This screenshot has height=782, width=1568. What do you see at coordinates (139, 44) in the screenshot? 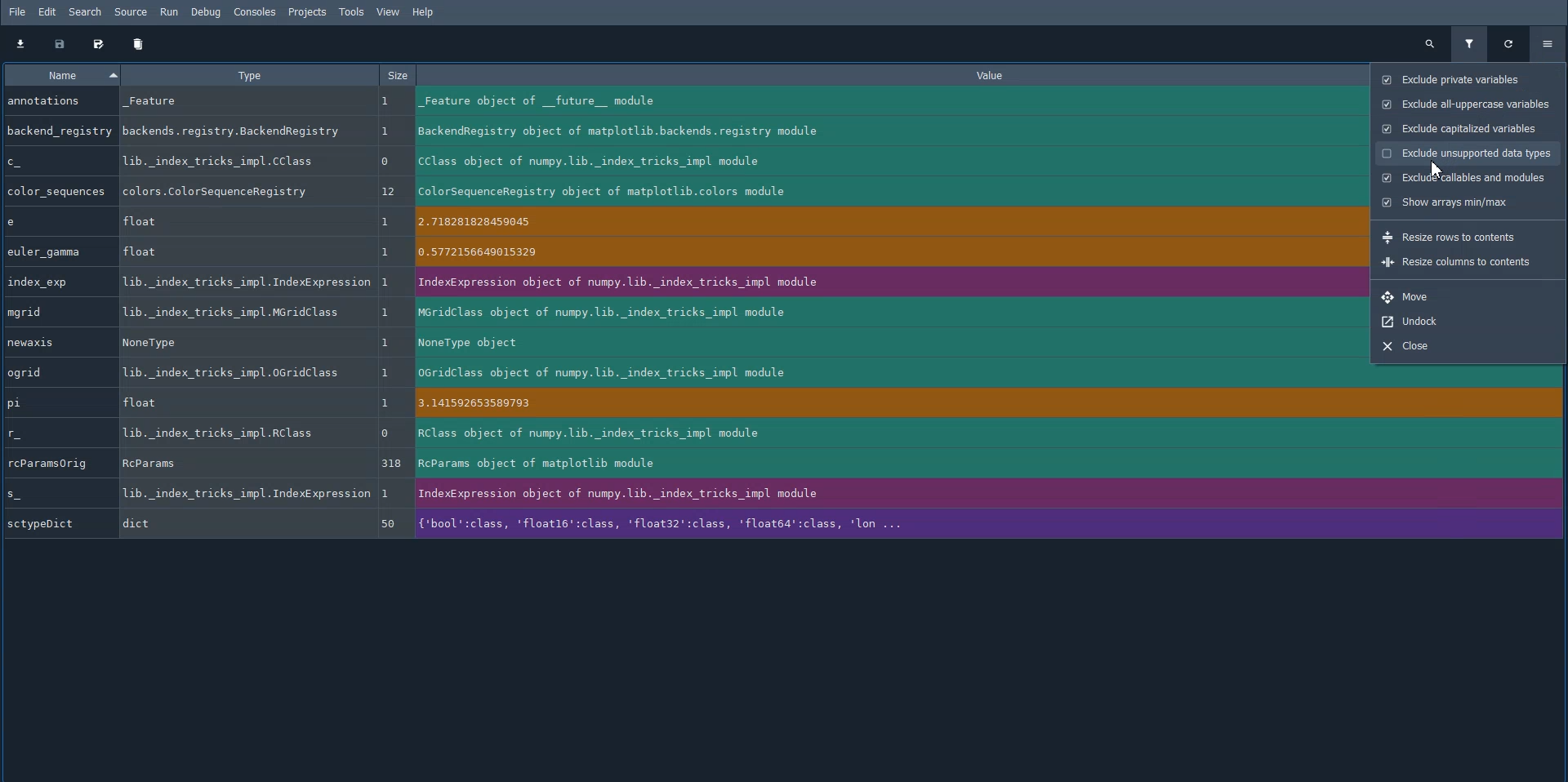
I see `Remove all preferences` at bounding box center [139, 44].